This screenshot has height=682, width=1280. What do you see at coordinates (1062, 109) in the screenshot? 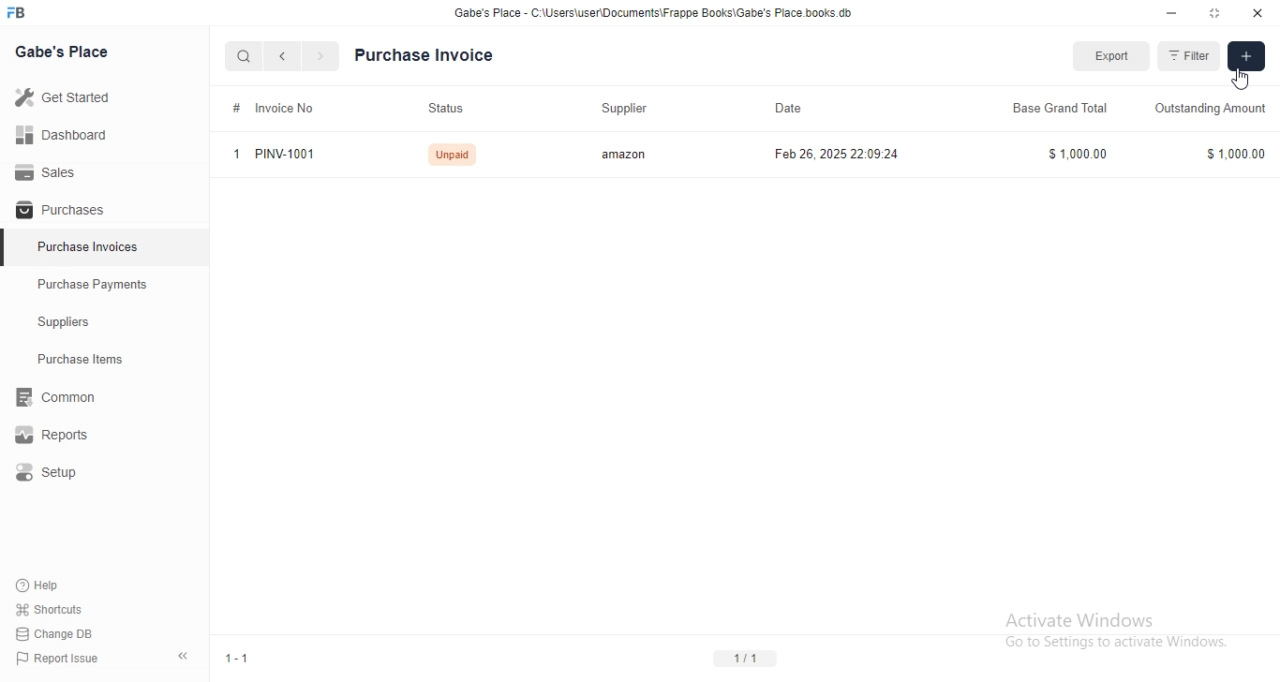
I see `Base Grand Total` at bounding box center [1062, 109].